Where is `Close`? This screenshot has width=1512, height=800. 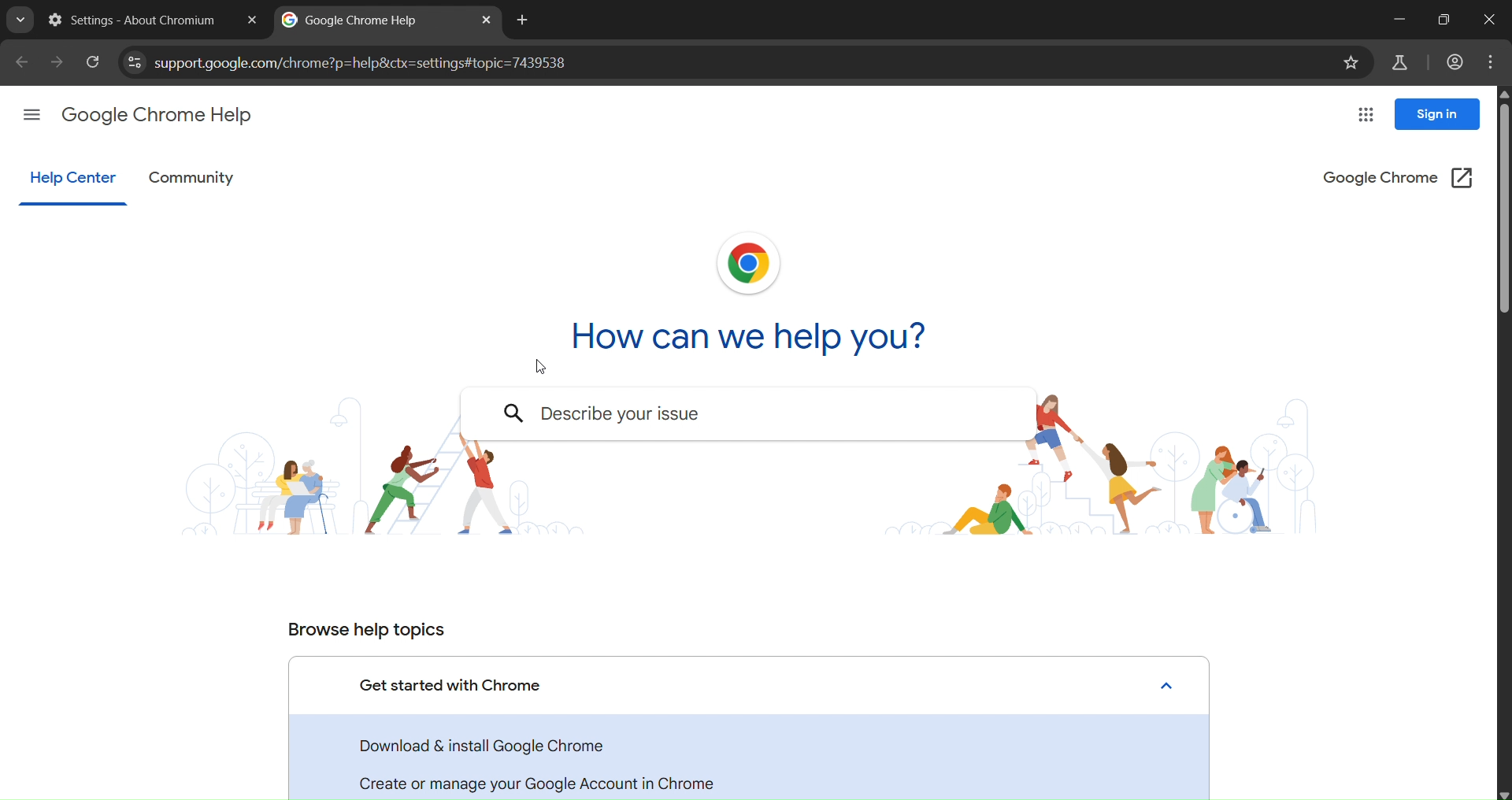
Close is located at coordinates (1172, 683).